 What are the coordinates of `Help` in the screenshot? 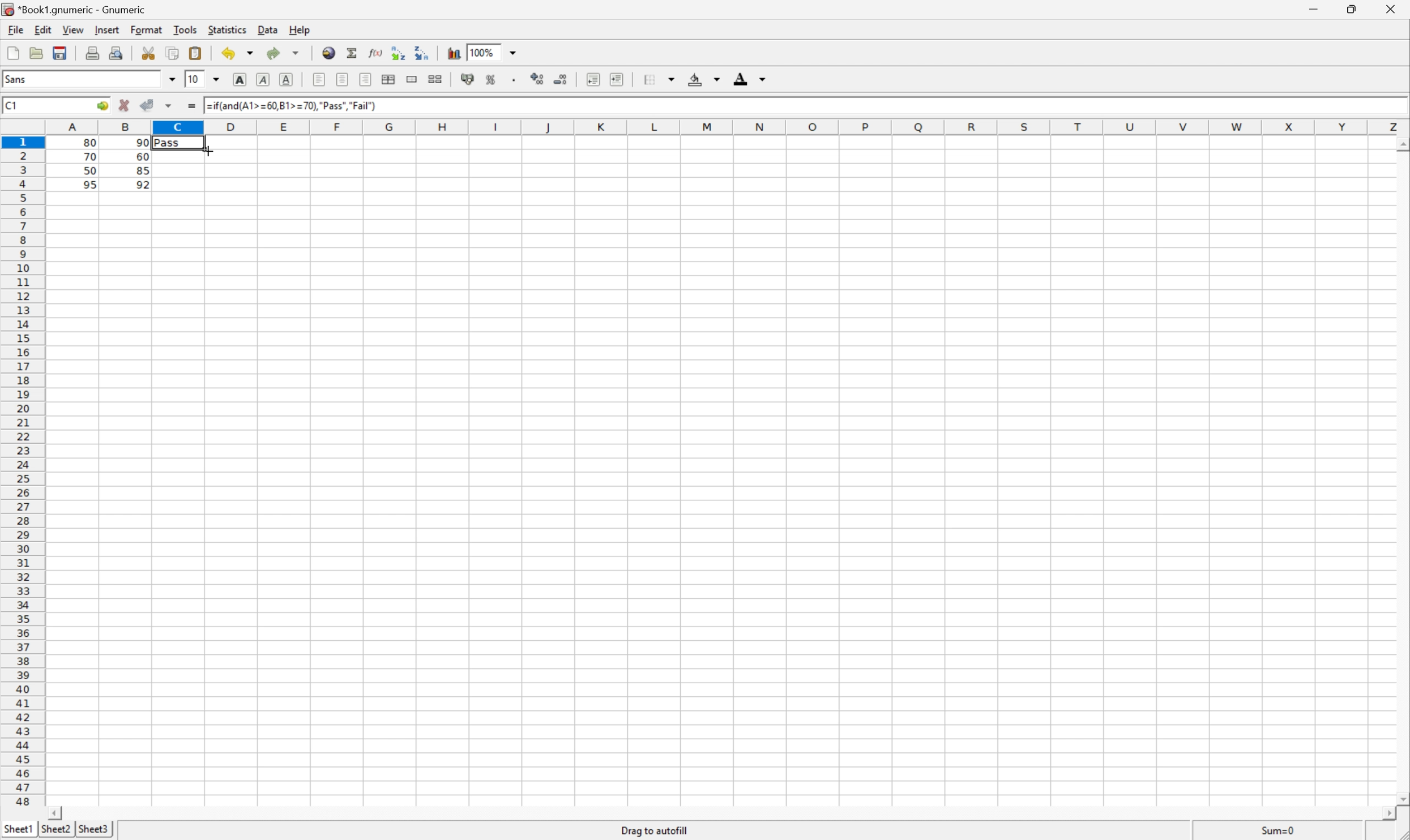 It's located at (300, 31).